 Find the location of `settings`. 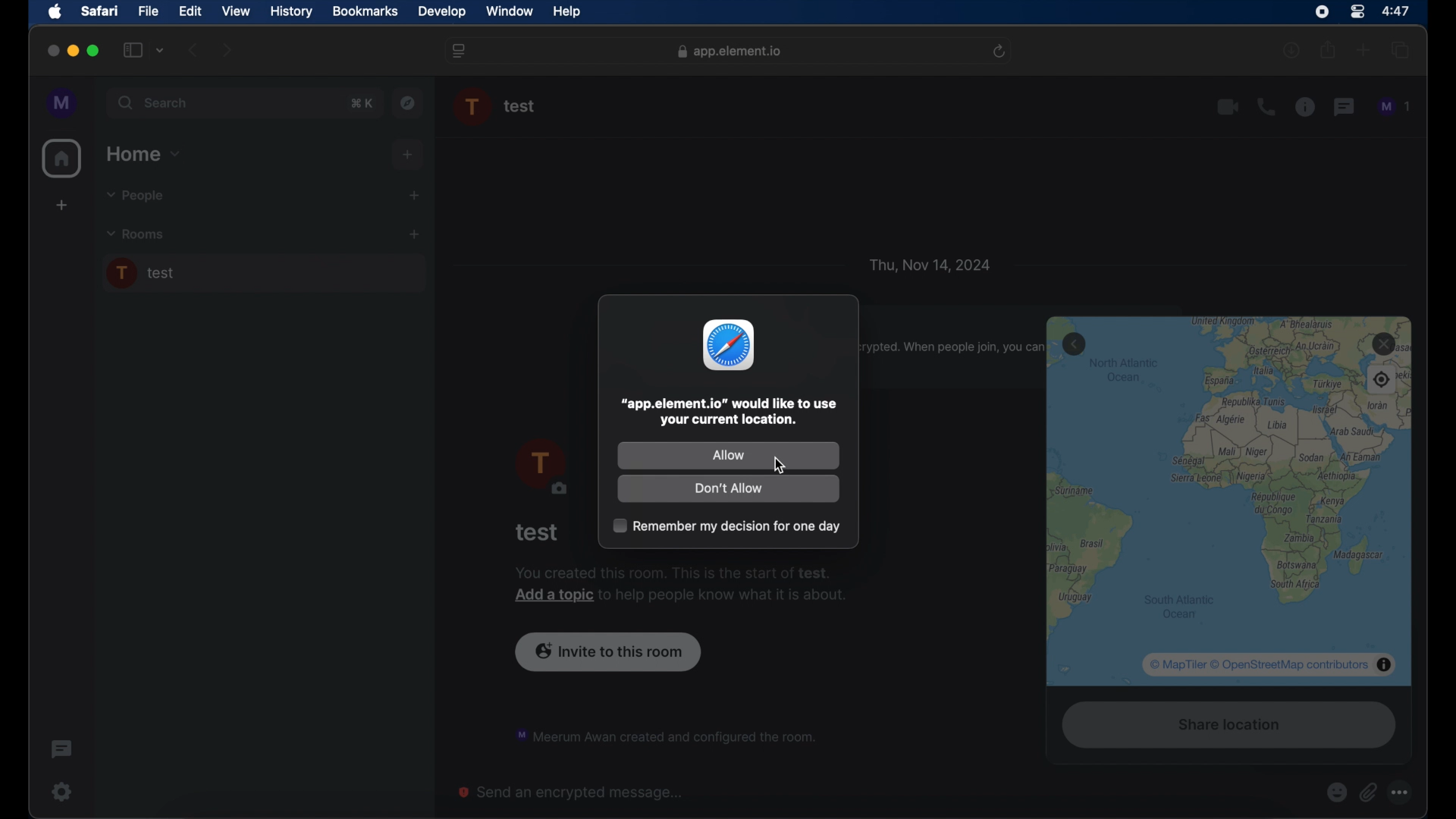

settings is located at coordinates (61, 791).